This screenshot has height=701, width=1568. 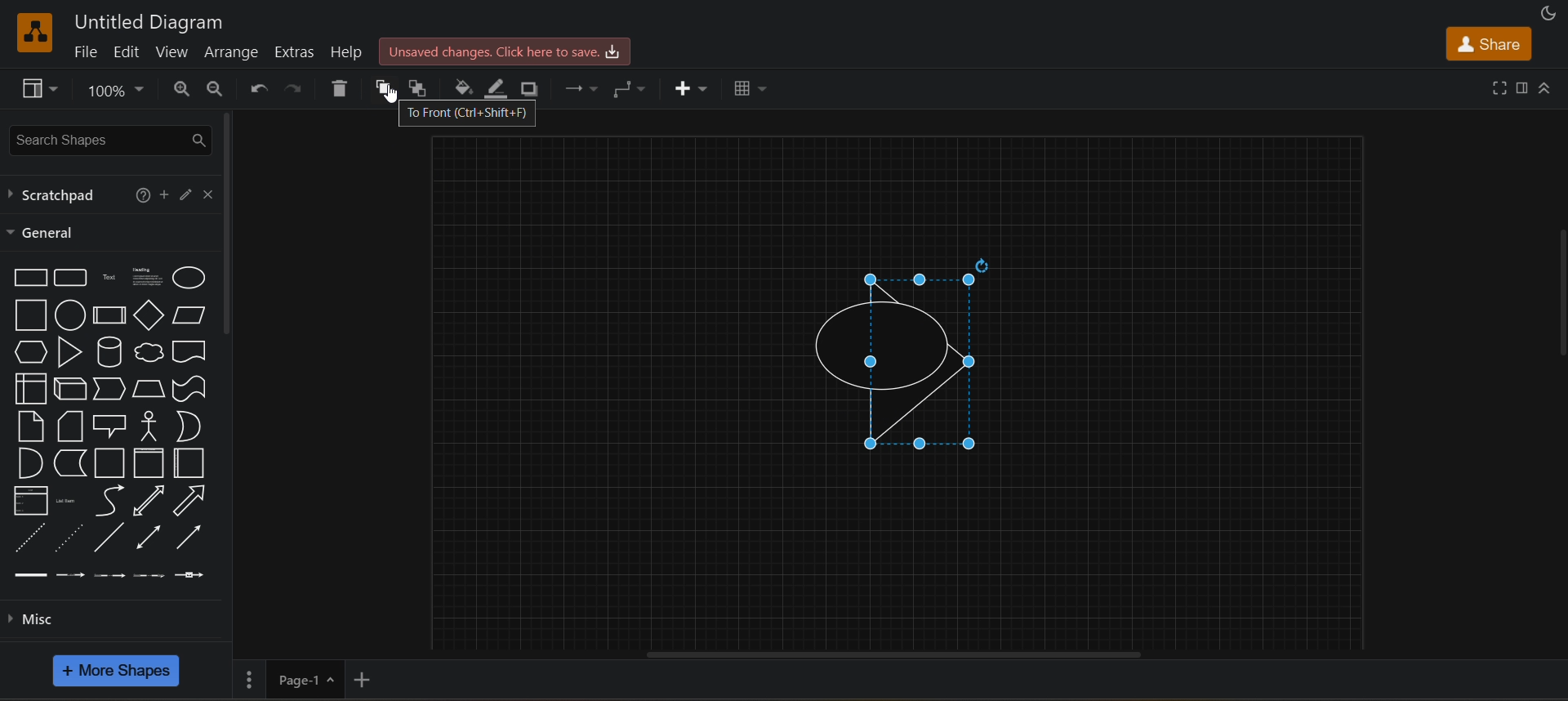 I want to click on to back, so click(x=421, y=86).